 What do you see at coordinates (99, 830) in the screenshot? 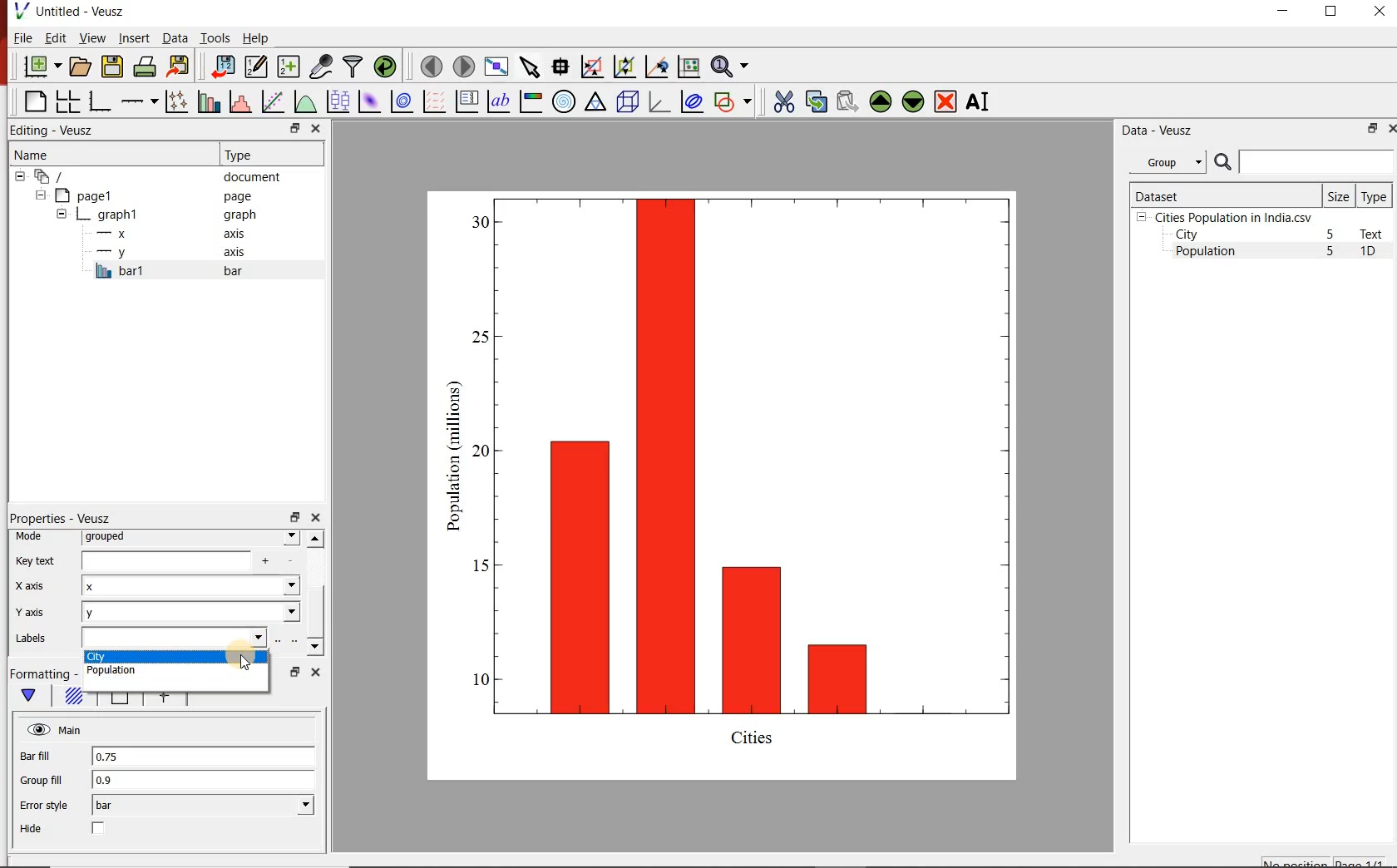
I see `check/uncheck` at bounding box center [99, 830].